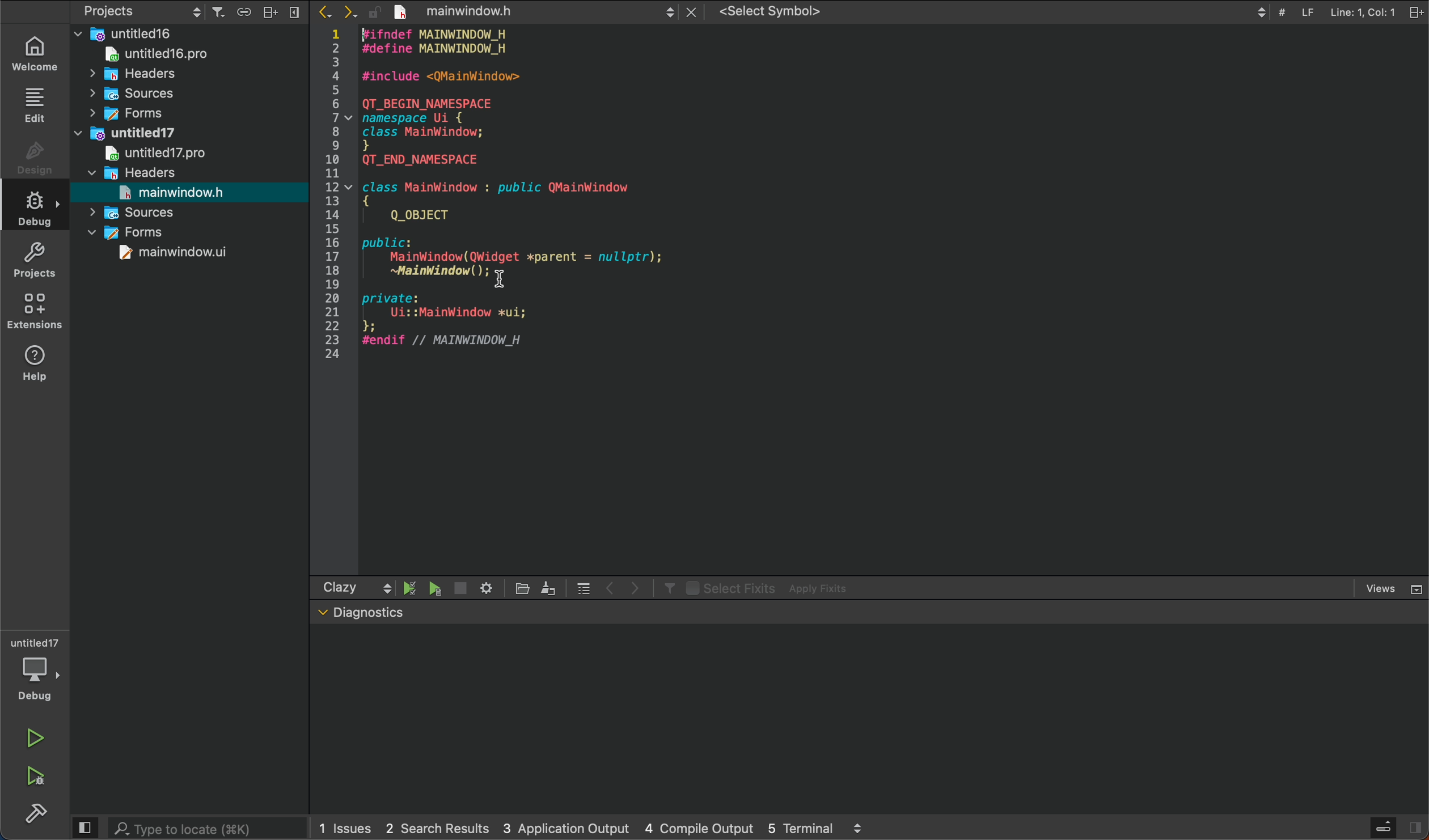 This screenshot has height=840, width=1429. What do you see at coordinates (411, 587) in the screenshot?
I see `pause/resume` at bounding box center [411, 587].